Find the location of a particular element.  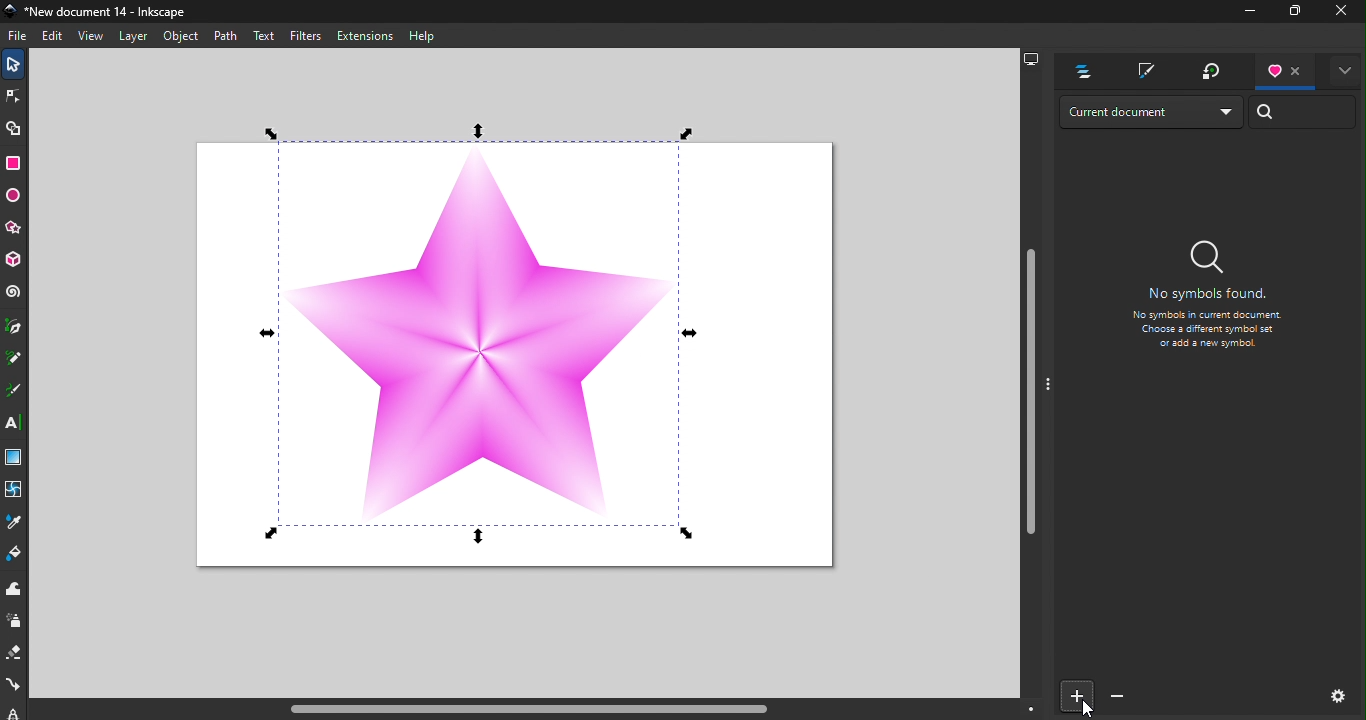

Text is located at coordinates (263, 35).